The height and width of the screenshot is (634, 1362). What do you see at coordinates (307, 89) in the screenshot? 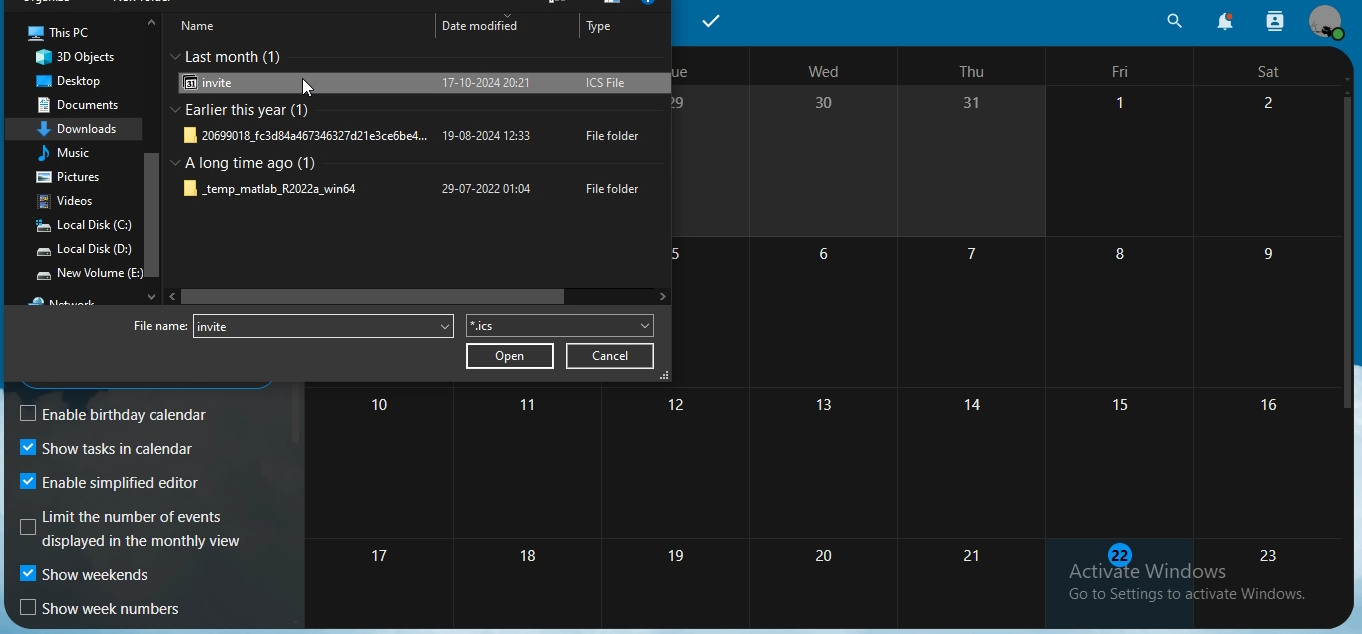
I see `cursor` at bounding box center [307, 89].